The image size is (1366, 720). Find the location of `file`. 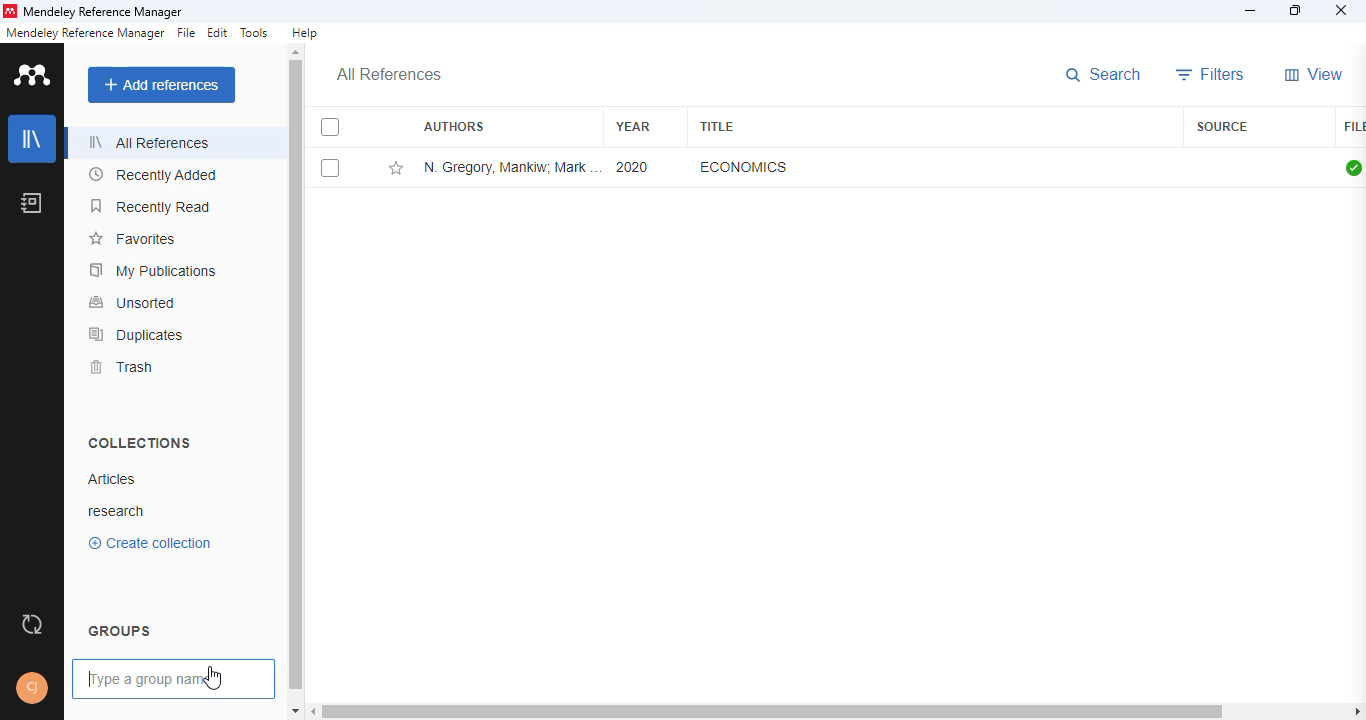

file is located at coordinates (186, 32).